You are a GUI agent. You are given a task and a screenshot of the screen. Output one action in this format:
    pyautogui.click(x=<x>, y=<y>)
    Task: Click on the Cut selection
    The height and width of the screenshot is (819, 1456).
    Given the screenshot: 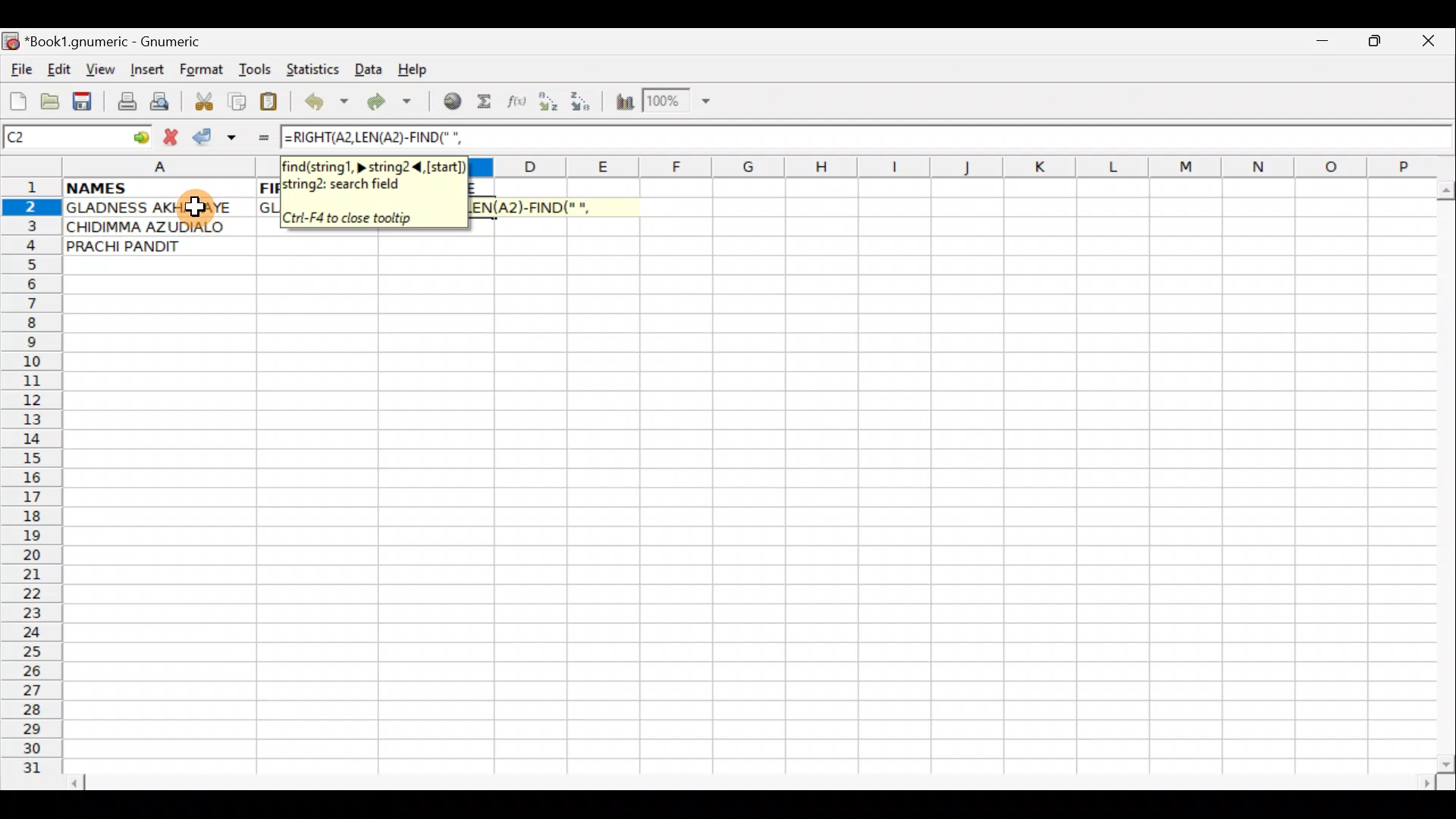 What is the action you would take?
    pyautogui.click(x=203, y=99)
    